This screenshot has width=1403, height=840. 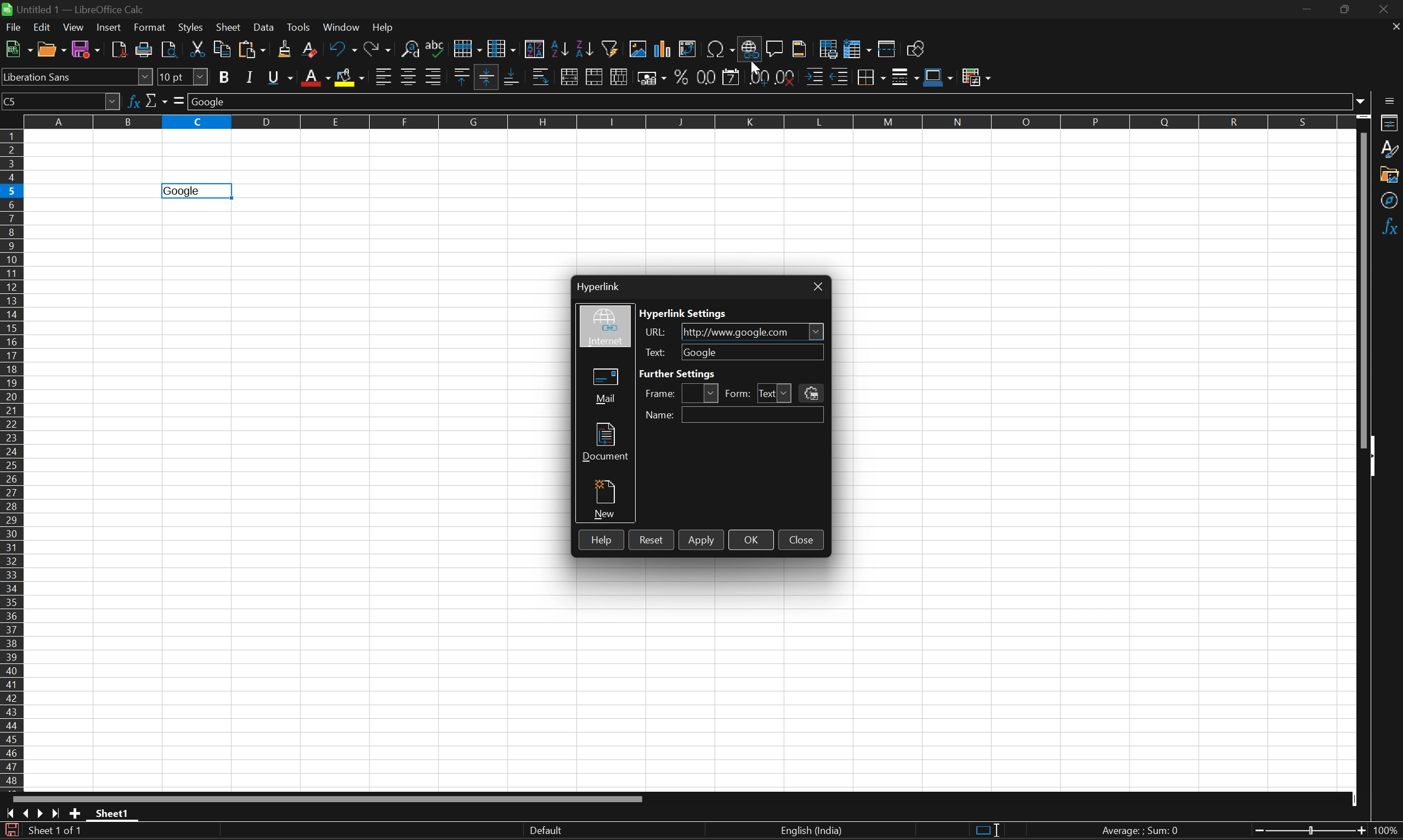 What do you see at coordinates (685, 122) in the screenshot?
I see `Column names` at bounding box center [685, 122].